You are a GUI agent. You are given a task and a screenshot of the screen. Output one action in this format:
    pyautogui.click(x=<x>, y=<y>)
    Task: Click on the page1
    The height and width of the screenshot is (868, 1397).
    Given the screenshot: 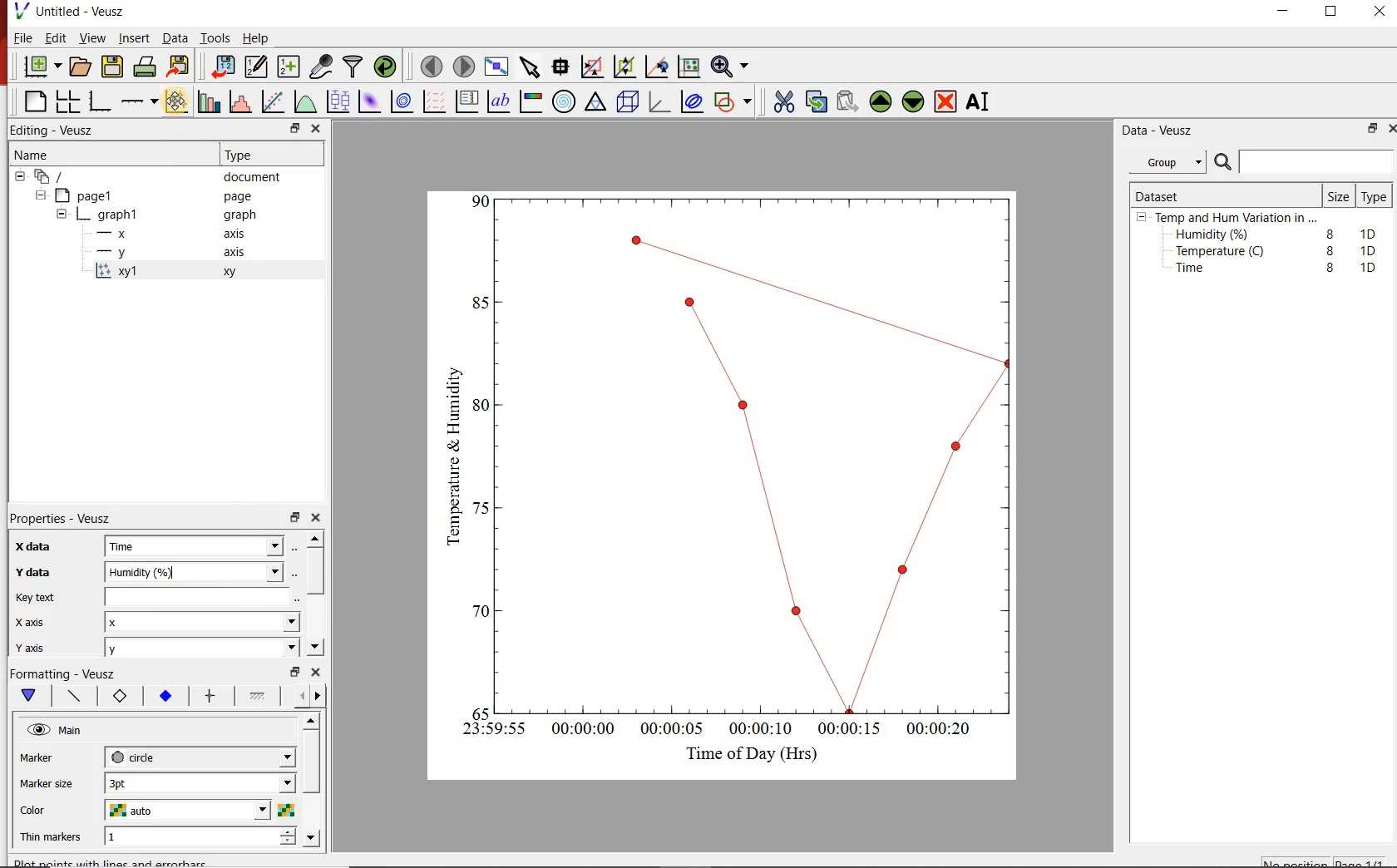 What is the action you would take?
    pyautogui.click(x=93, y=195)
    